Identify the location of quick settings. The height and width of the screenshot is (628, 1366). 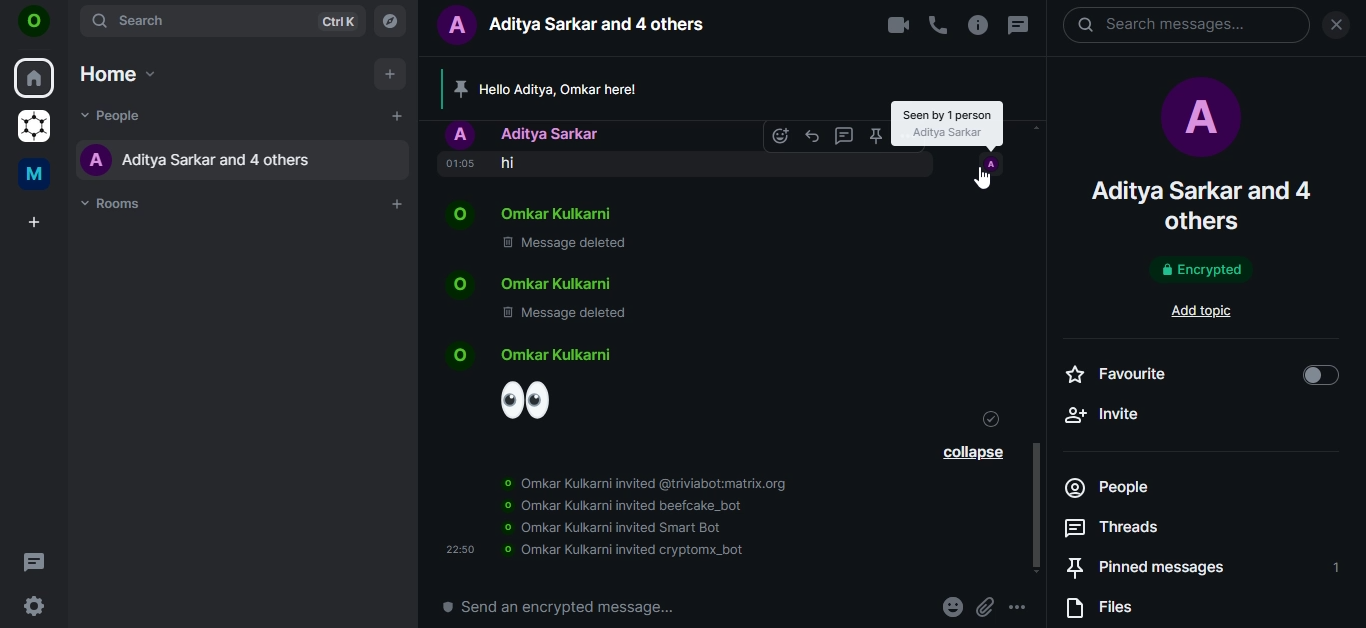
(34, 608).